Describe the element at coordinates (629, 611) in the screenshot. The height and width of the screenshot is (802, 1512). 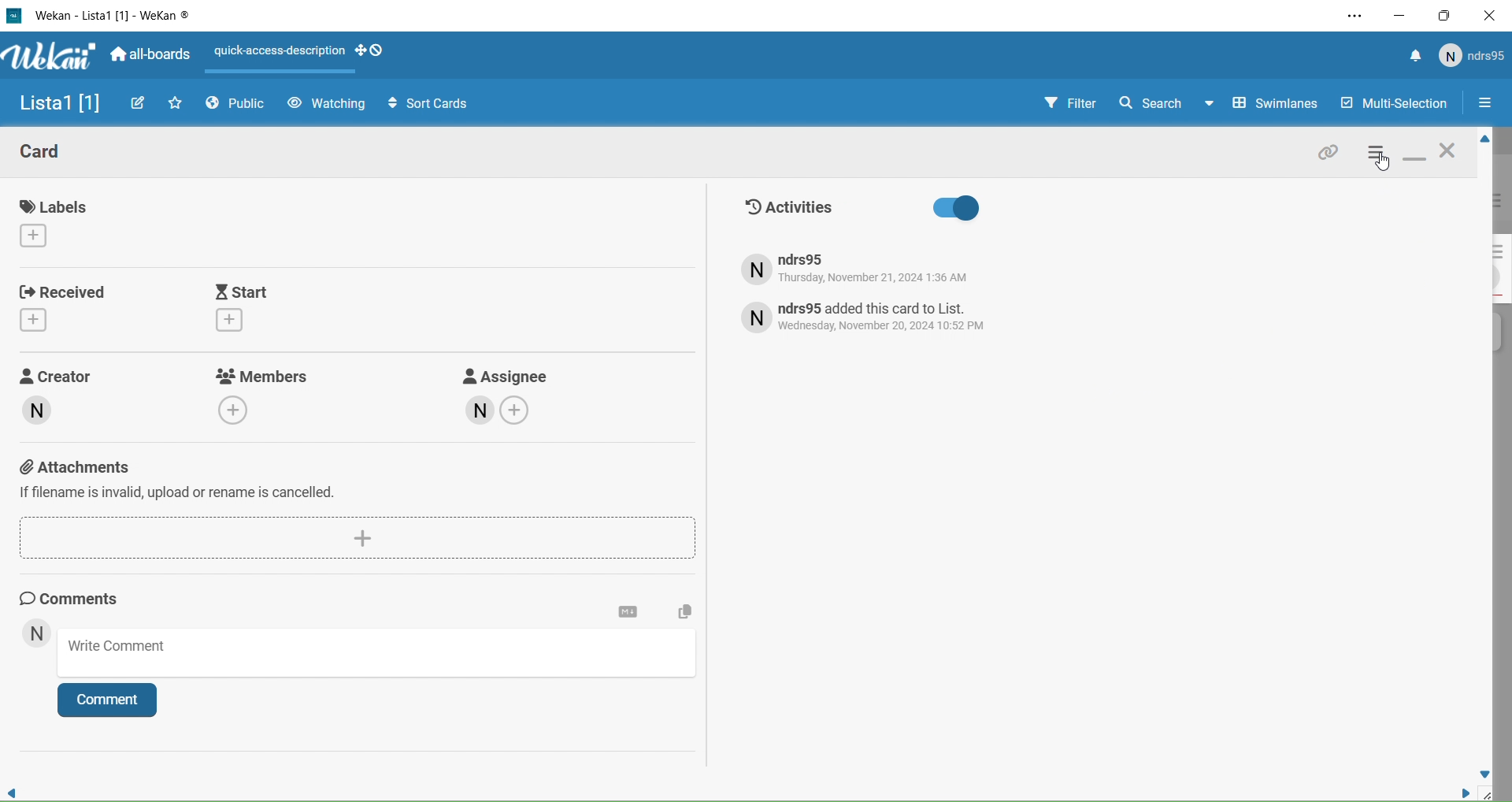
I see `Card` at that location.